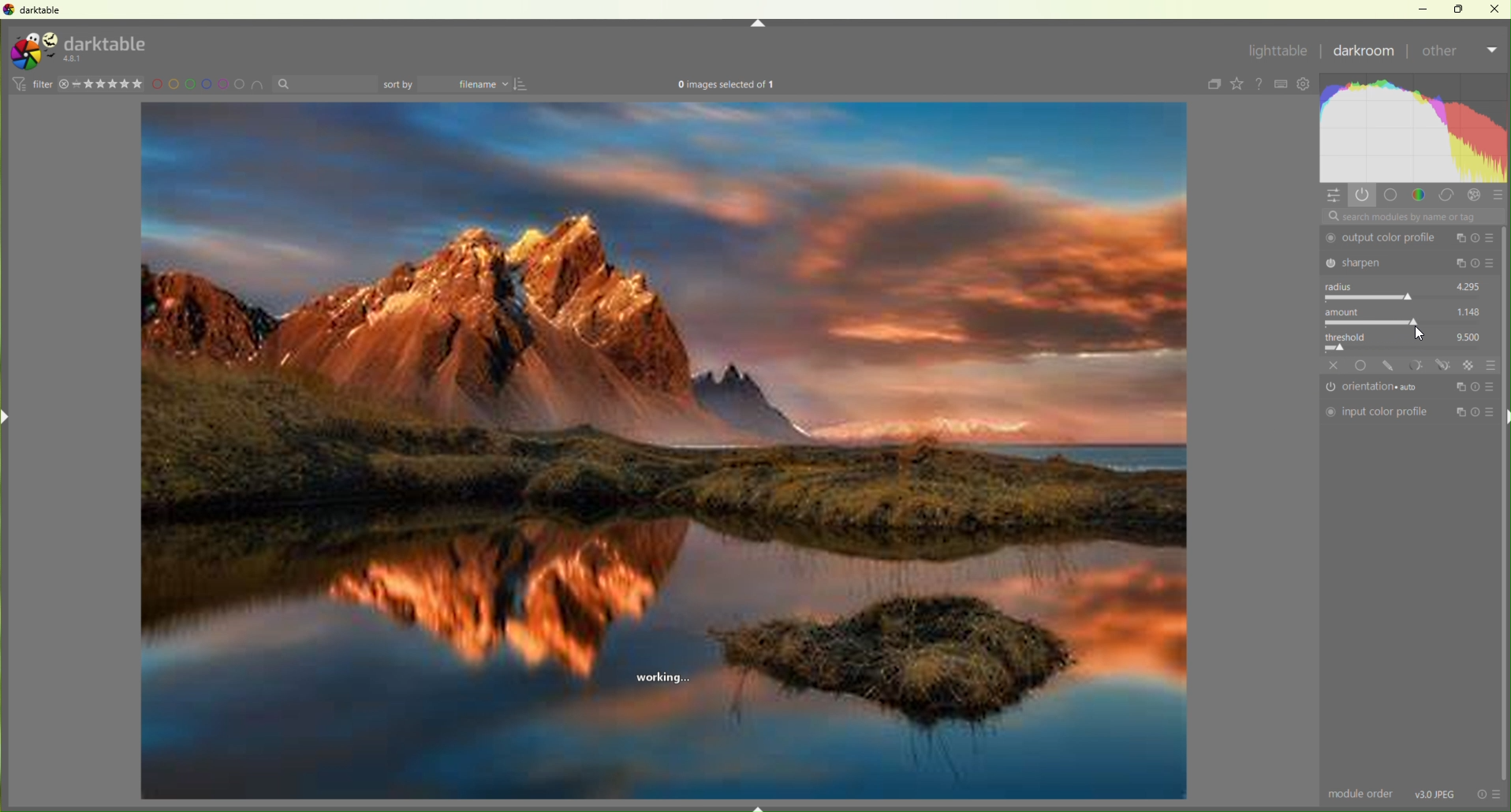  What do you see at coordinates (1447, 196) in the screenshot?
I see `correct` at bounding box center [1447, 196].